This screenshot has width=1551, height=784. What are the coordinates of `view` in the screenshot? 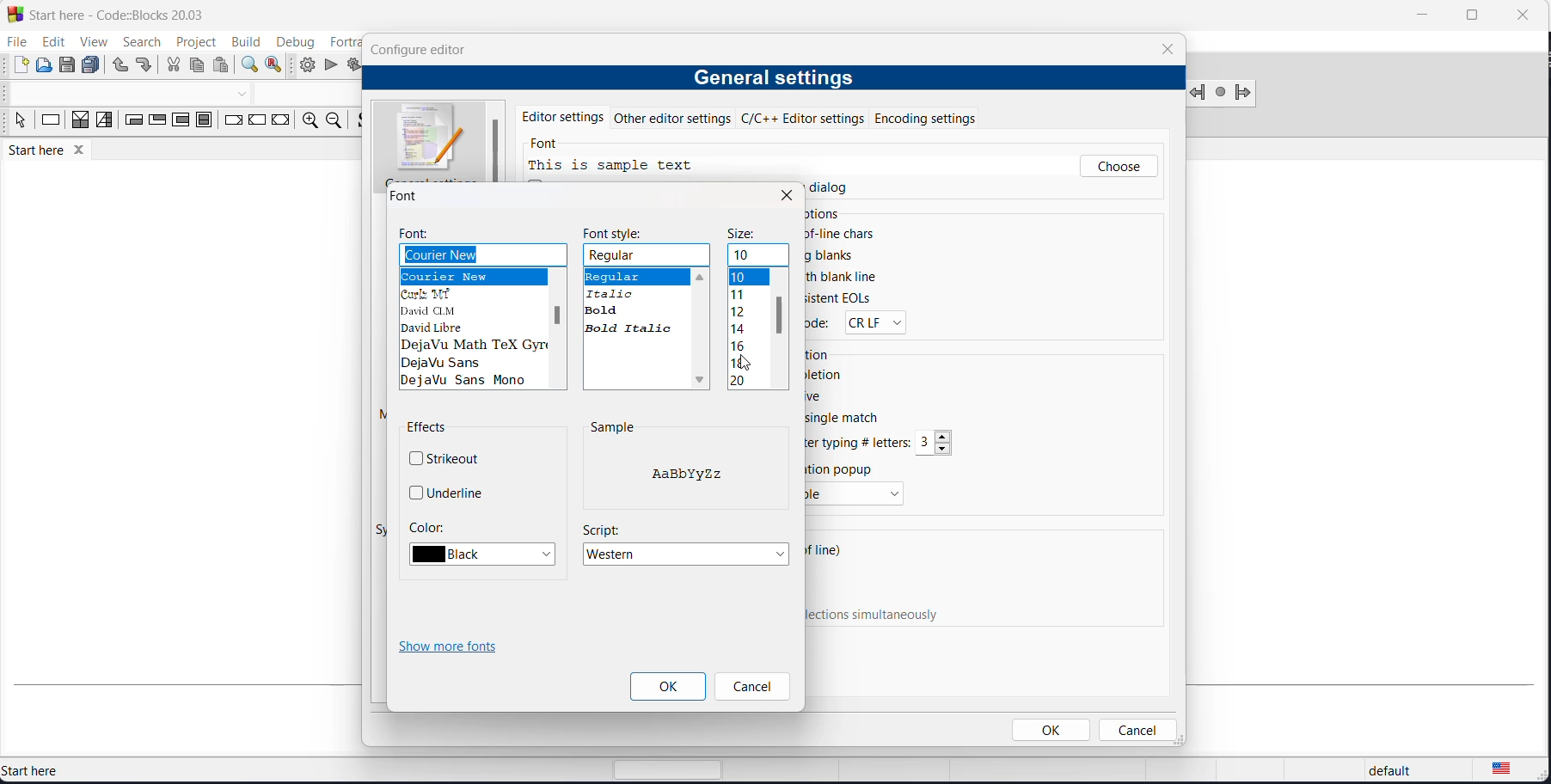 It's located at (89, 40).